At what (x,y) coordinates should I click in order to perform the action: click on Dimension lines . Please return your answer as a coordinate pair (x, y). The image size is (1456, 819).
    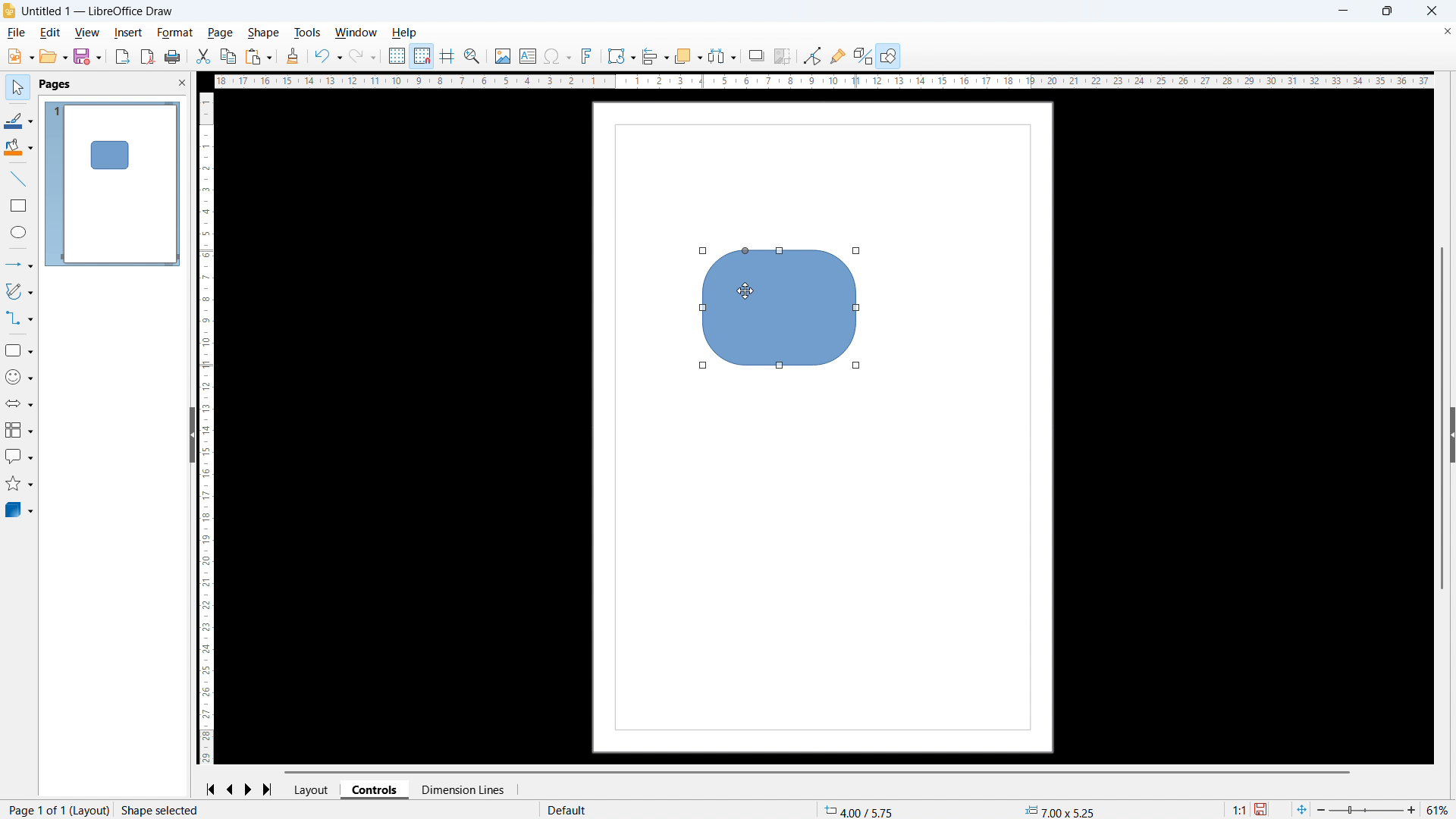
    Looking at the image, I should click on (462, 790).